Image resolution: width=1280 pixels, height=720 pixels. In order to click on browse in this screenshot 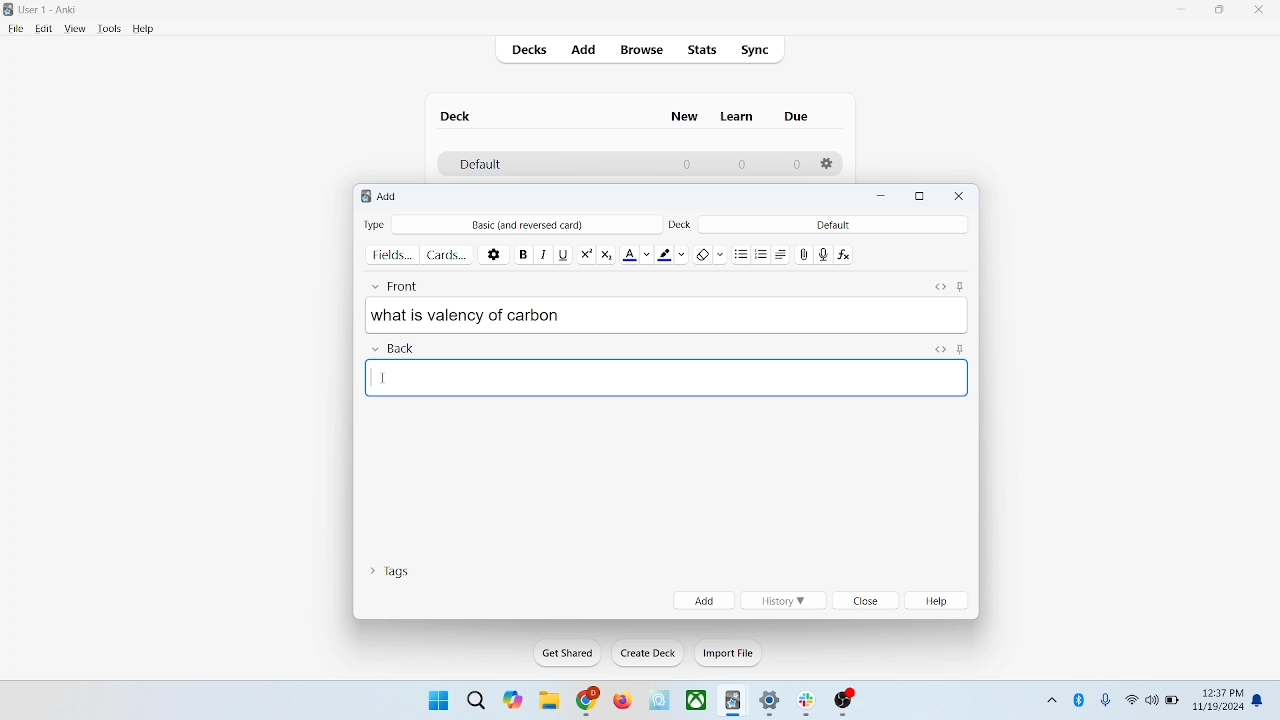, I will do `click(640, 49)`.